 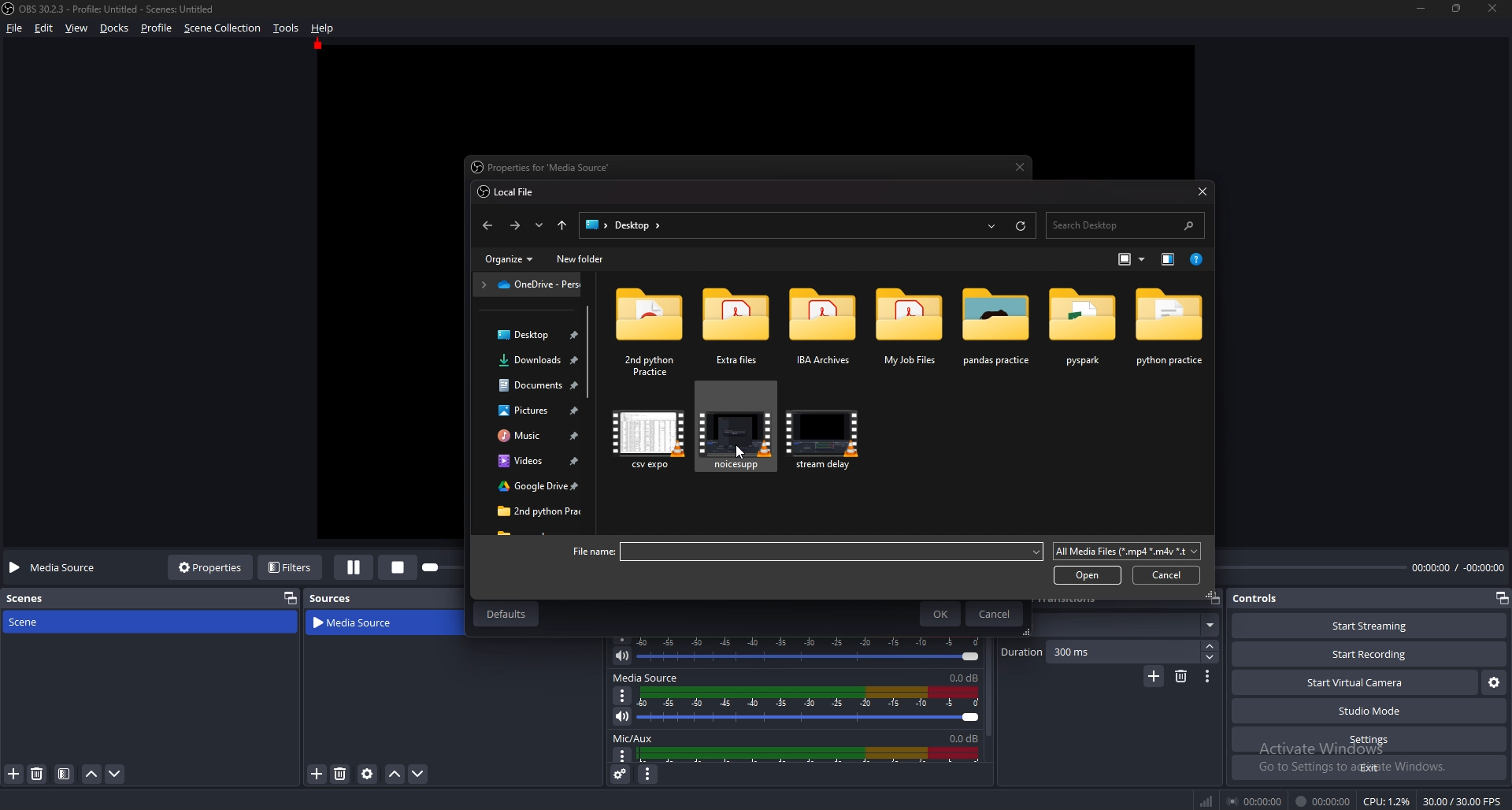 I want to click on File names, so click(x=806, y=552).